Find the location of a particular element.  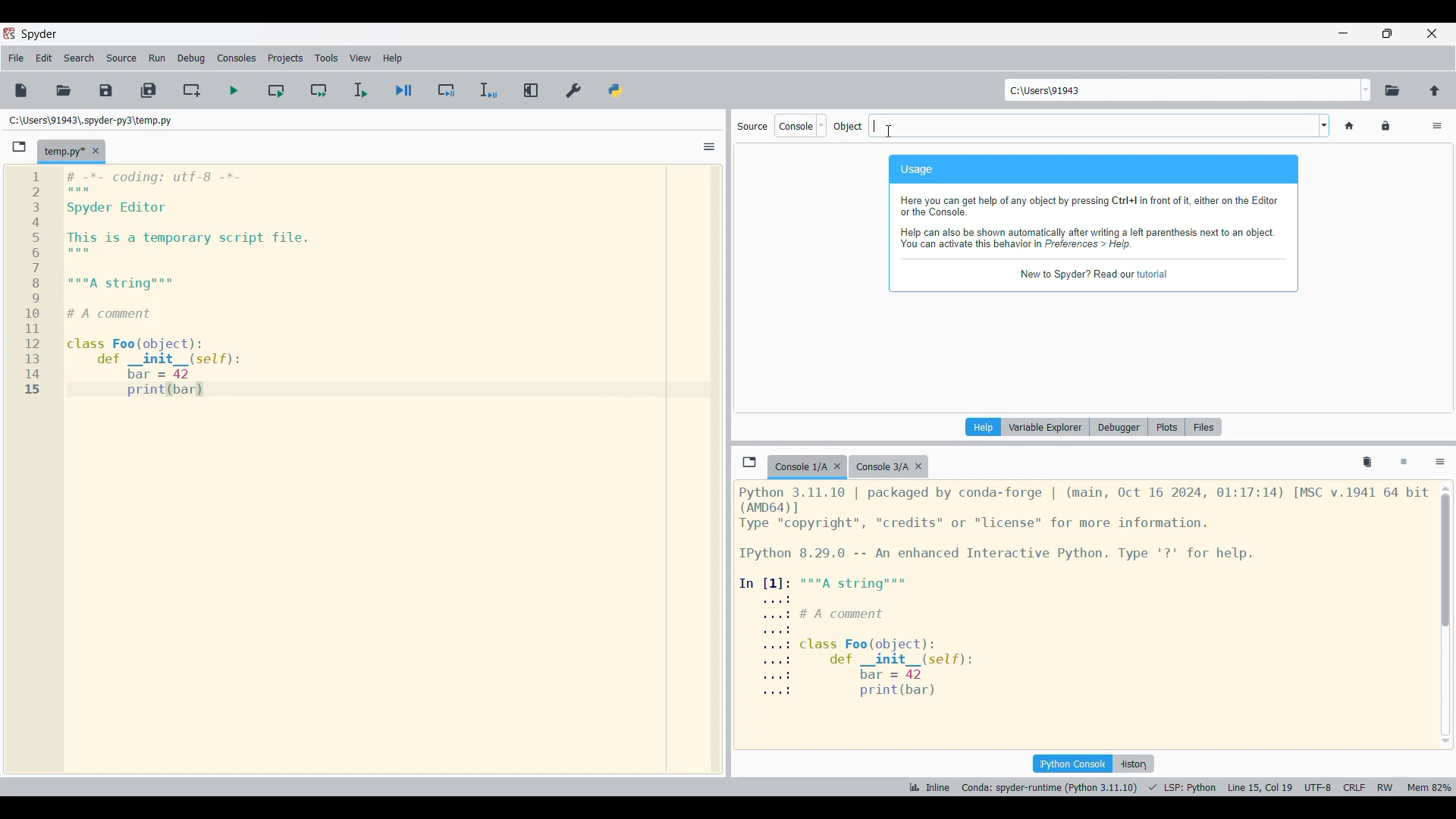

Home is located at coordinates (1351, 126).